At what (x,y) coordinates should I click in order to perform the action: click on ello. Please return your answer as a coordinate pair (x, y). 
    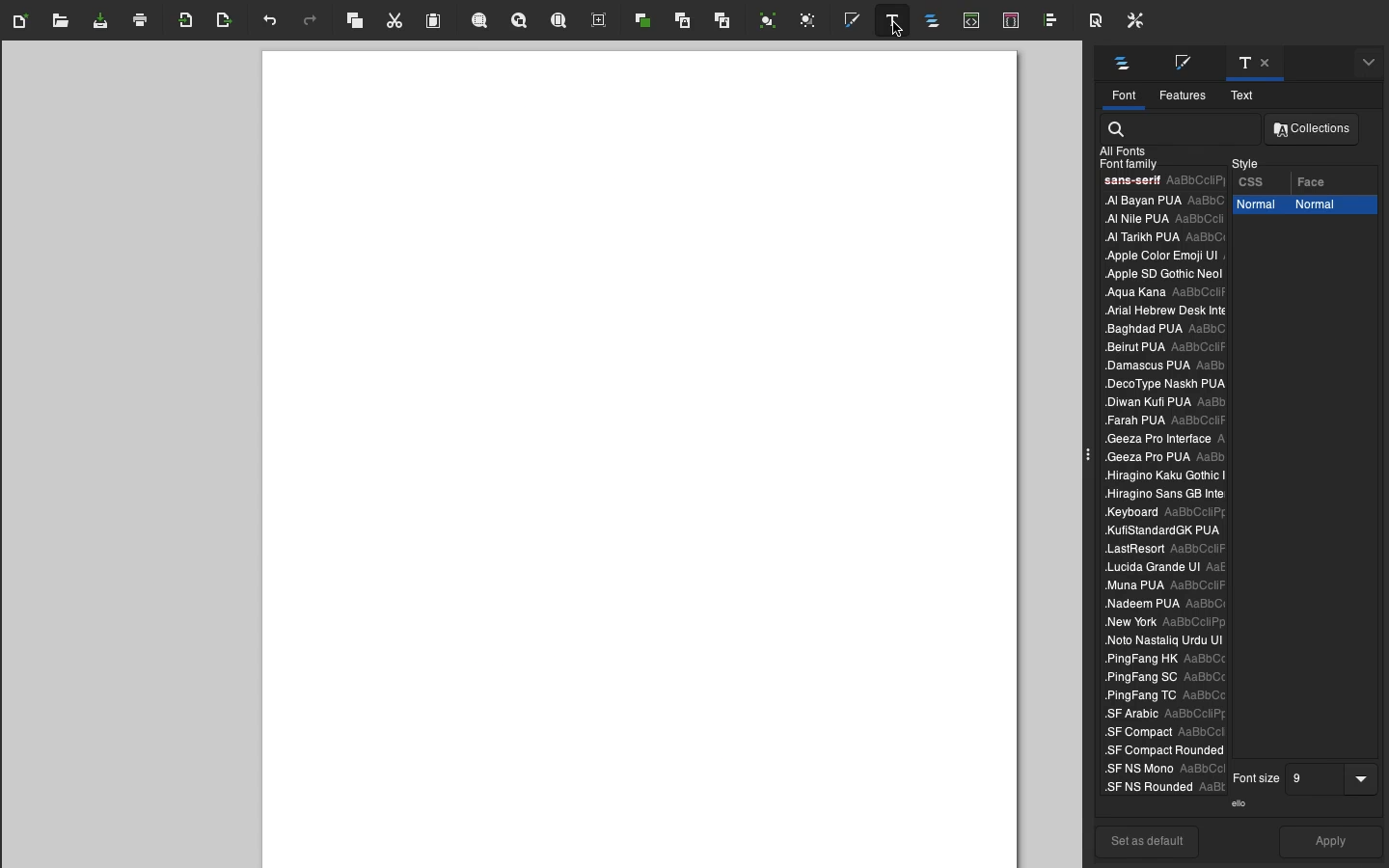
    Looking at the image, I should click on (1243, 803).